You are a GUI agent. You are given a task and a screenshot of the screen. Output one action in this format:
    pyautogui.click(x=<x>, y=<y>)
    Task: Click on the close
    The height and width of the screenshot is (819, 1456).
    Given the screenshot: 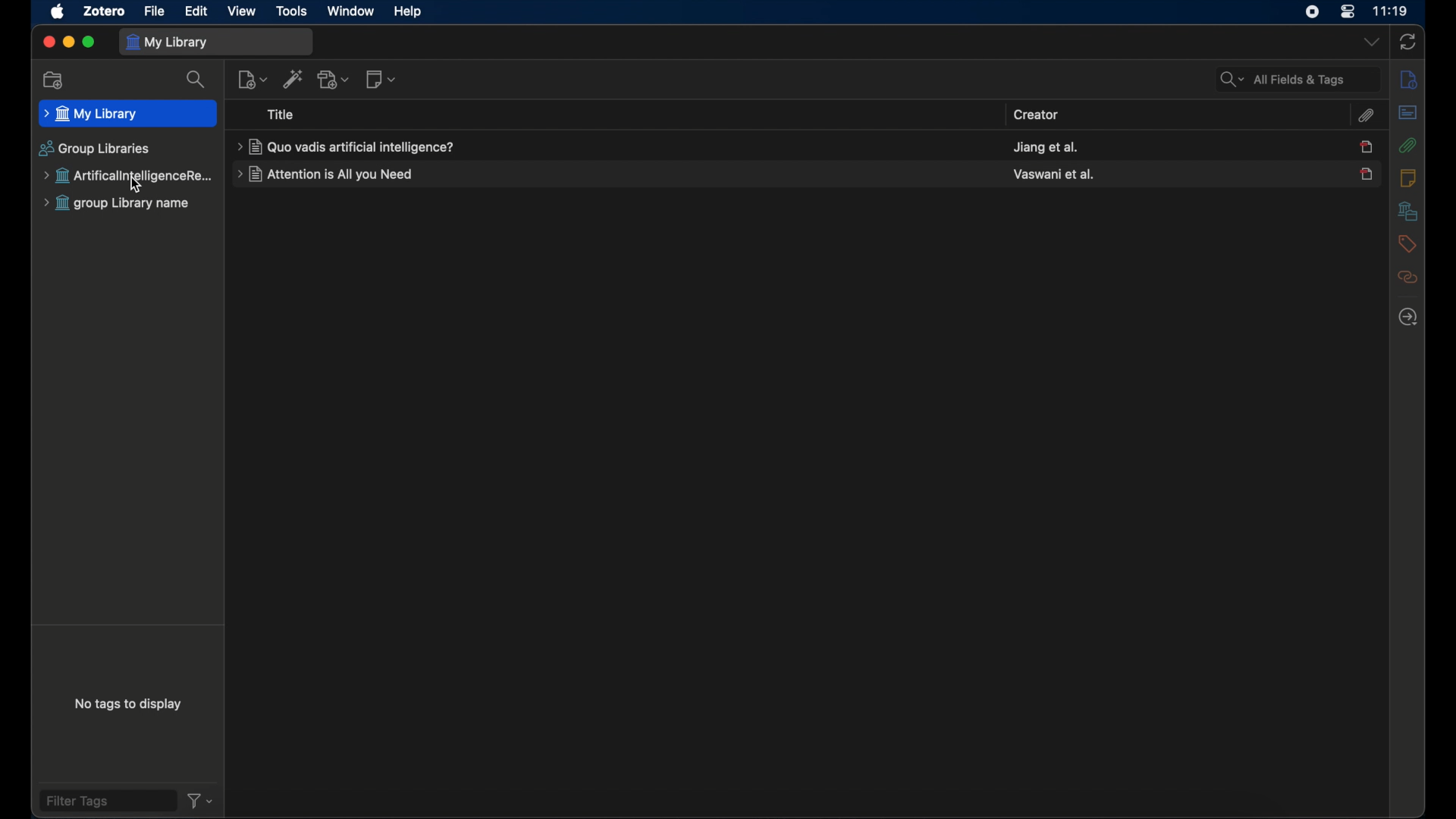 What is the action you would take?
    pyautogui.click(x=47, y=43)
    